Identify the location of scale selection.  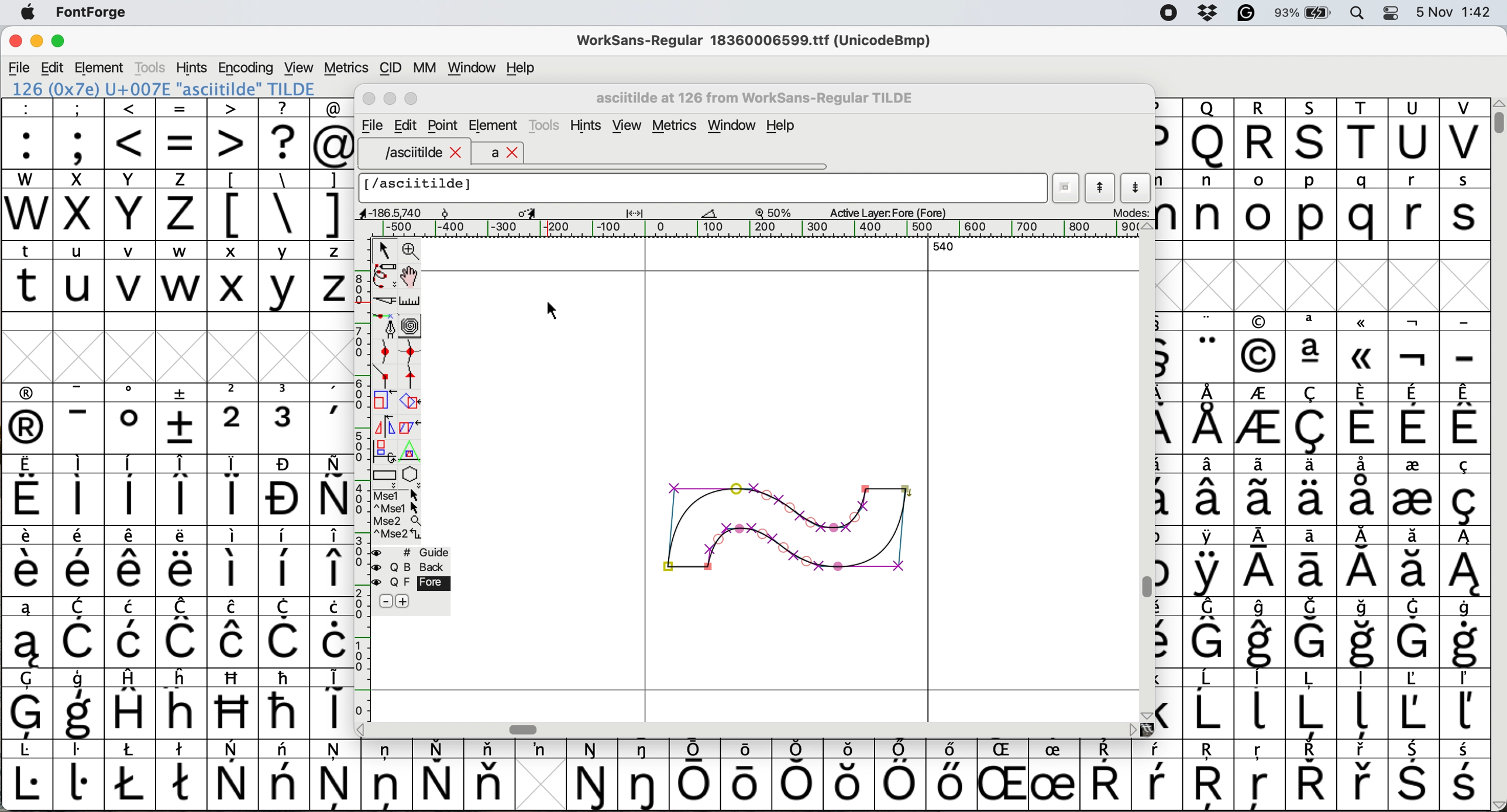
(386, 400).